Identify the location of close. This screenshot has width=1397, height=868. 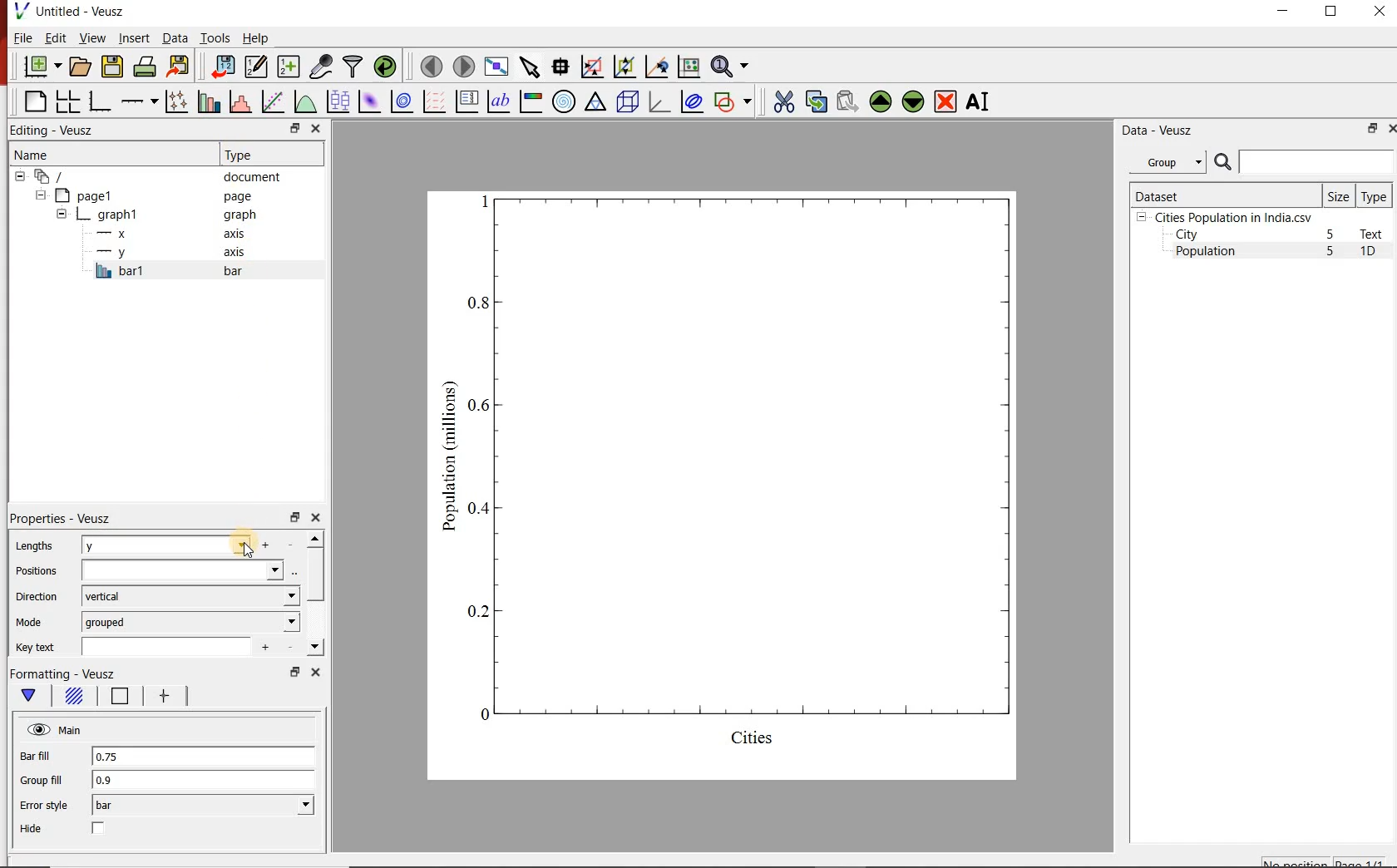
(318, 128).